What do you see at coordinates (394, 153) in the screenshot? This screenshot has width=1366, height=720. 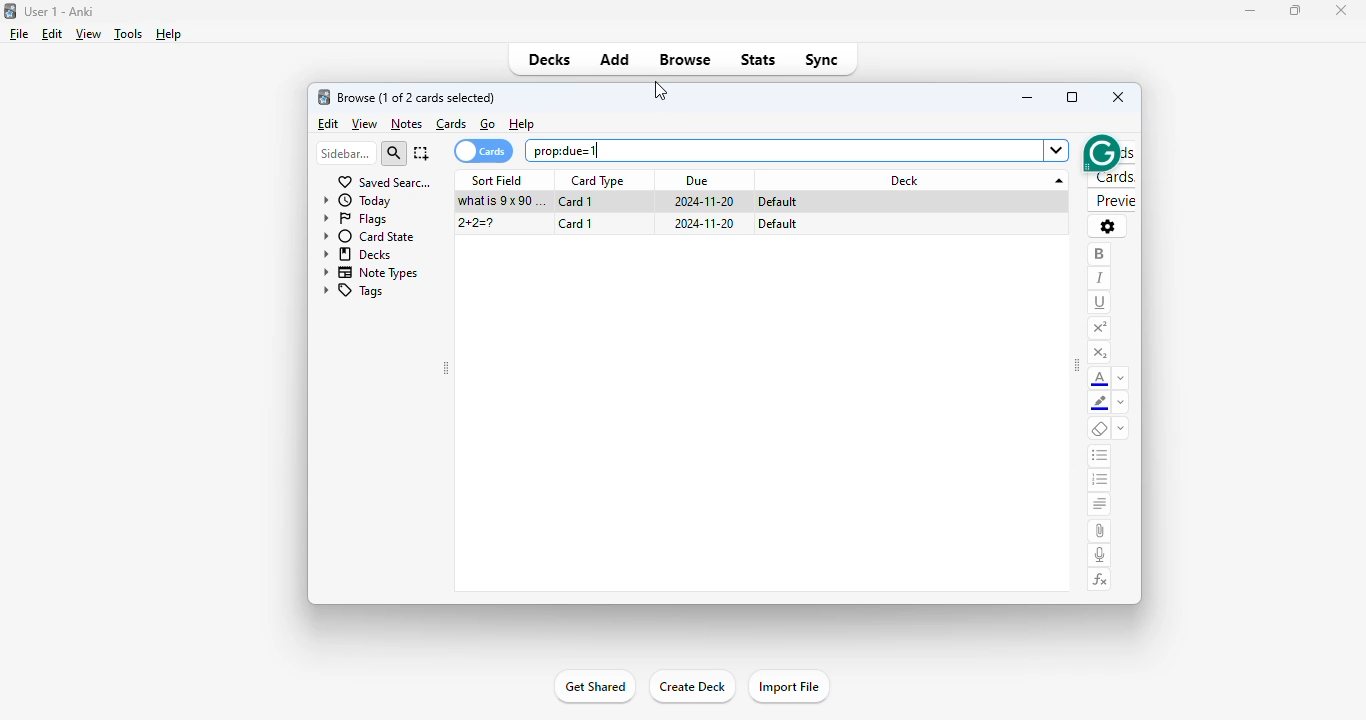 I see `search` at bounding box center [394, 153].